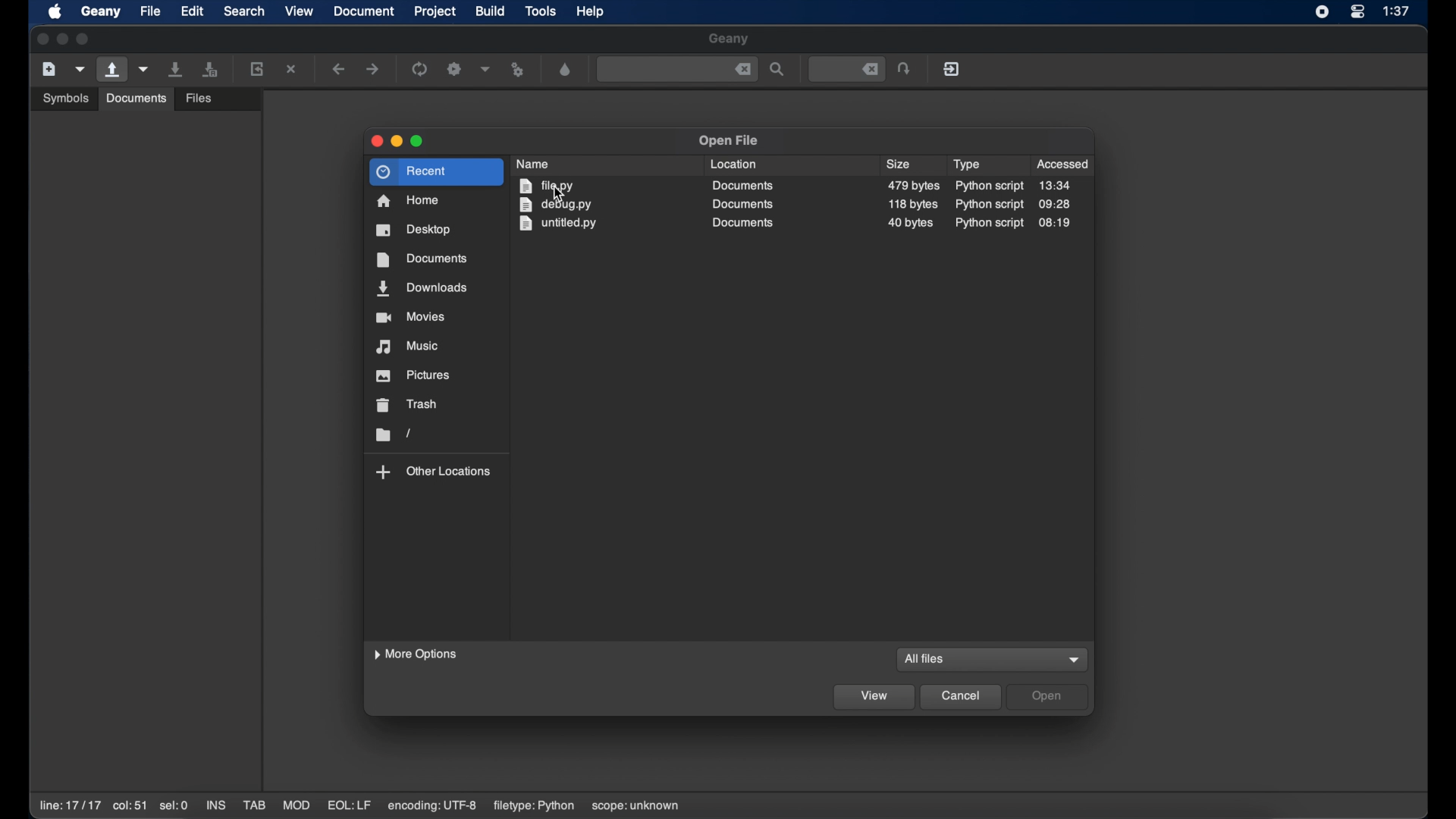  Describe the element at coordinates (144, 69) in the screenshot. I see `open a recent file` at that location.